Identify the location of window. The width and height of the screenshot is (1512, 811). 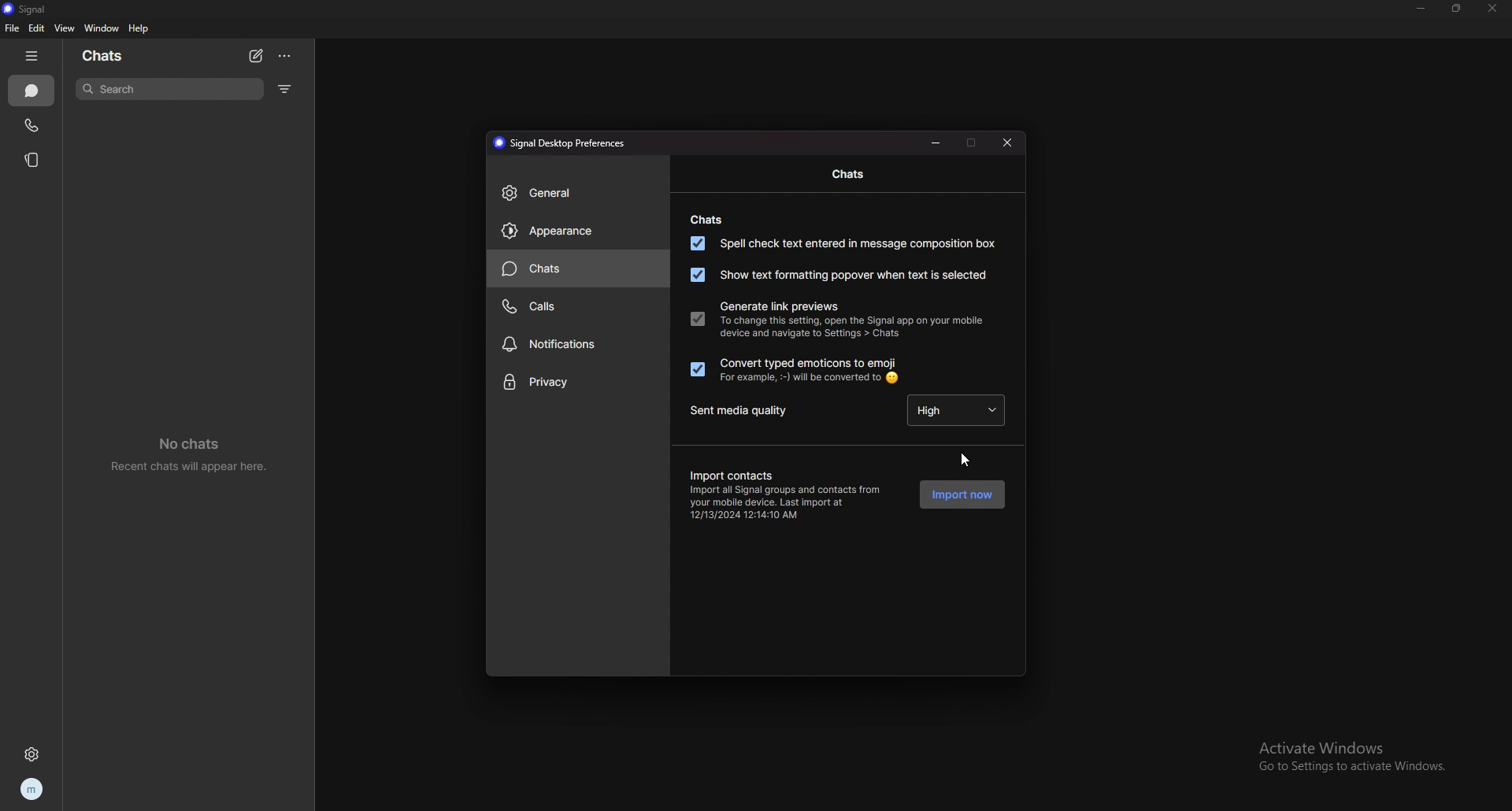
(102, 28).